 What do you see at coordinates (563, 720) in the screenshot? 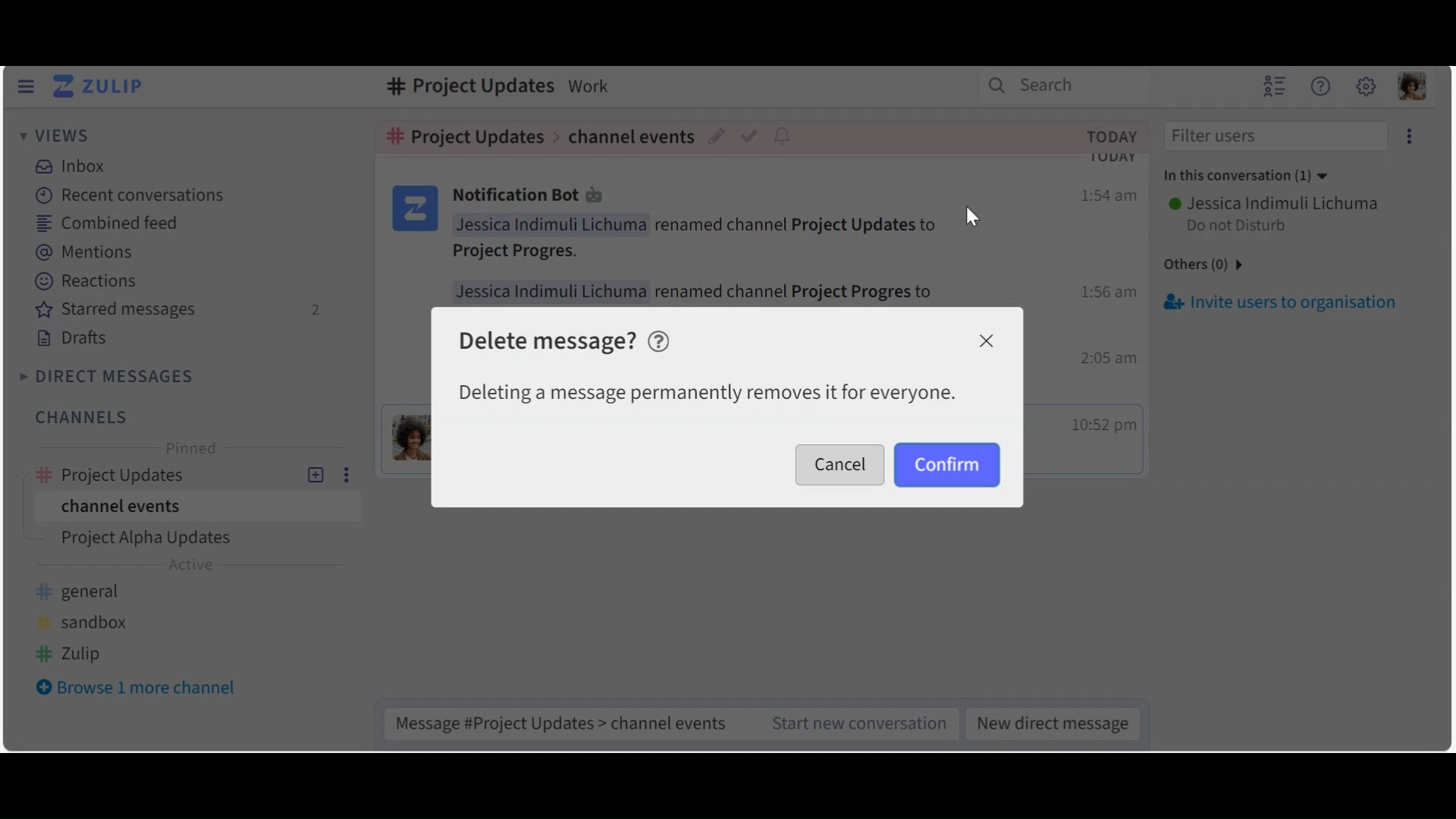
I see `Compose messages` at bounding box center [563, 720].